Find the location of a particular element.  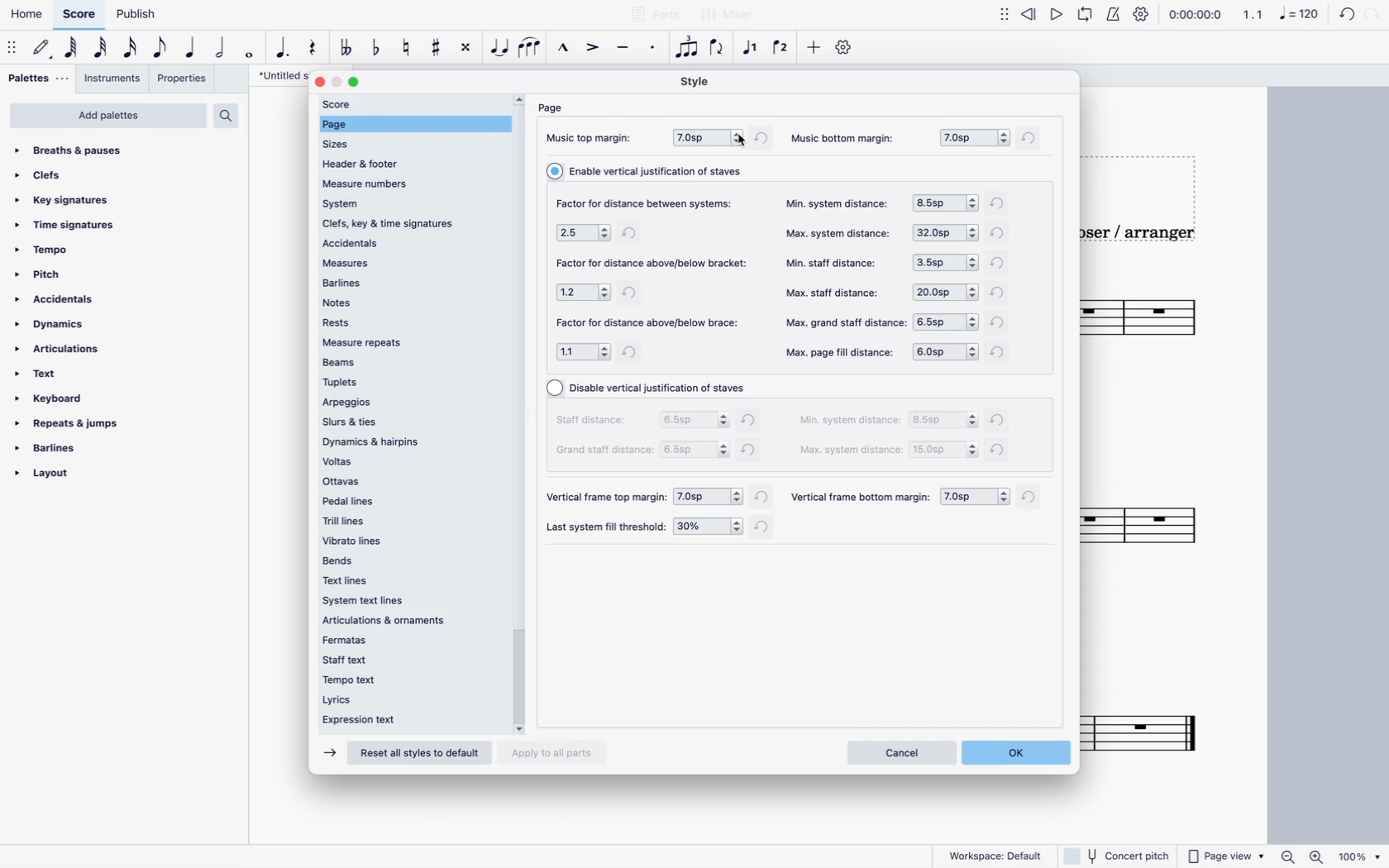

options is located at coordinates (584, 291).